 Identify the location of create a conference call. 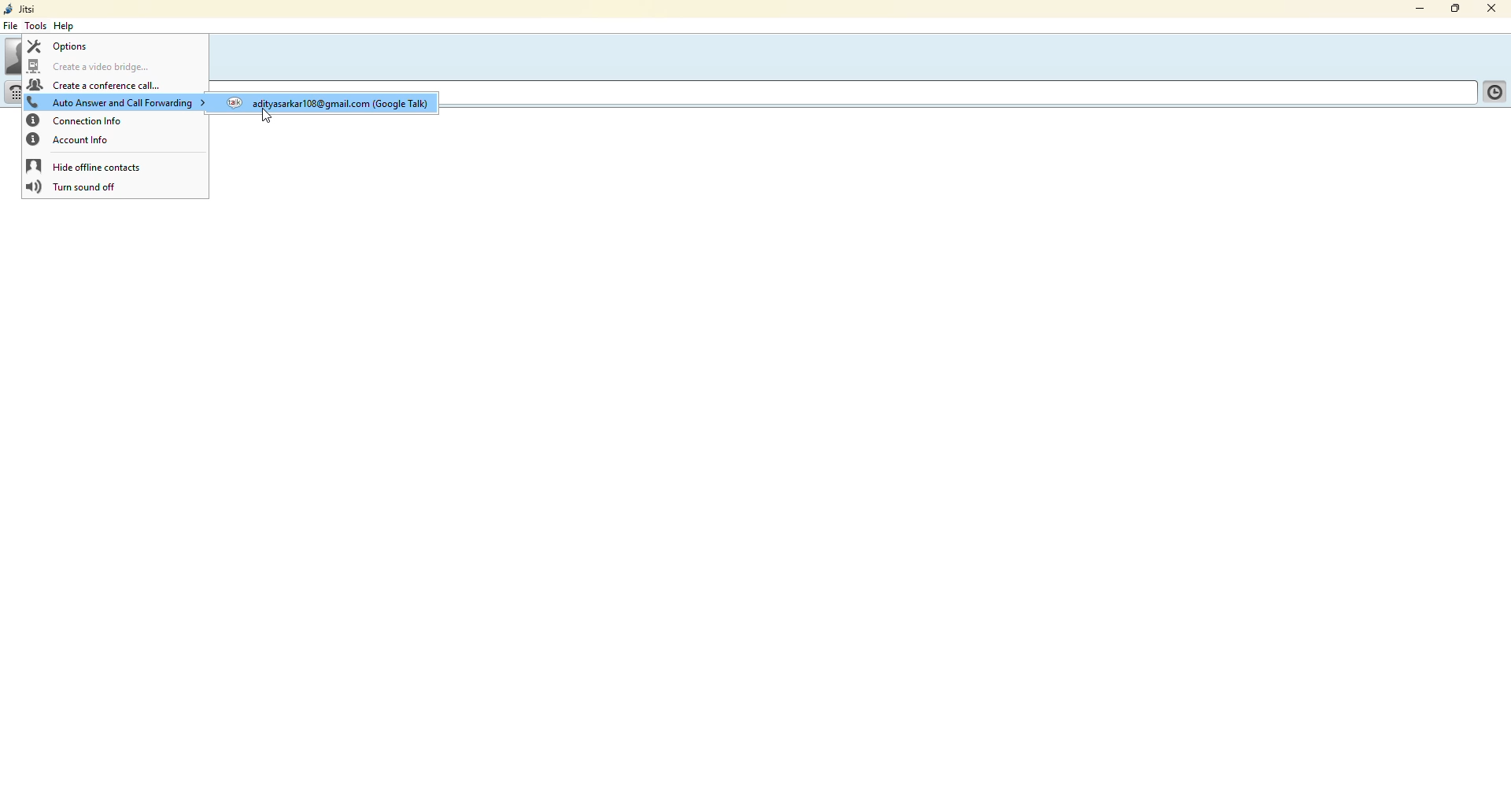
(93, 85).